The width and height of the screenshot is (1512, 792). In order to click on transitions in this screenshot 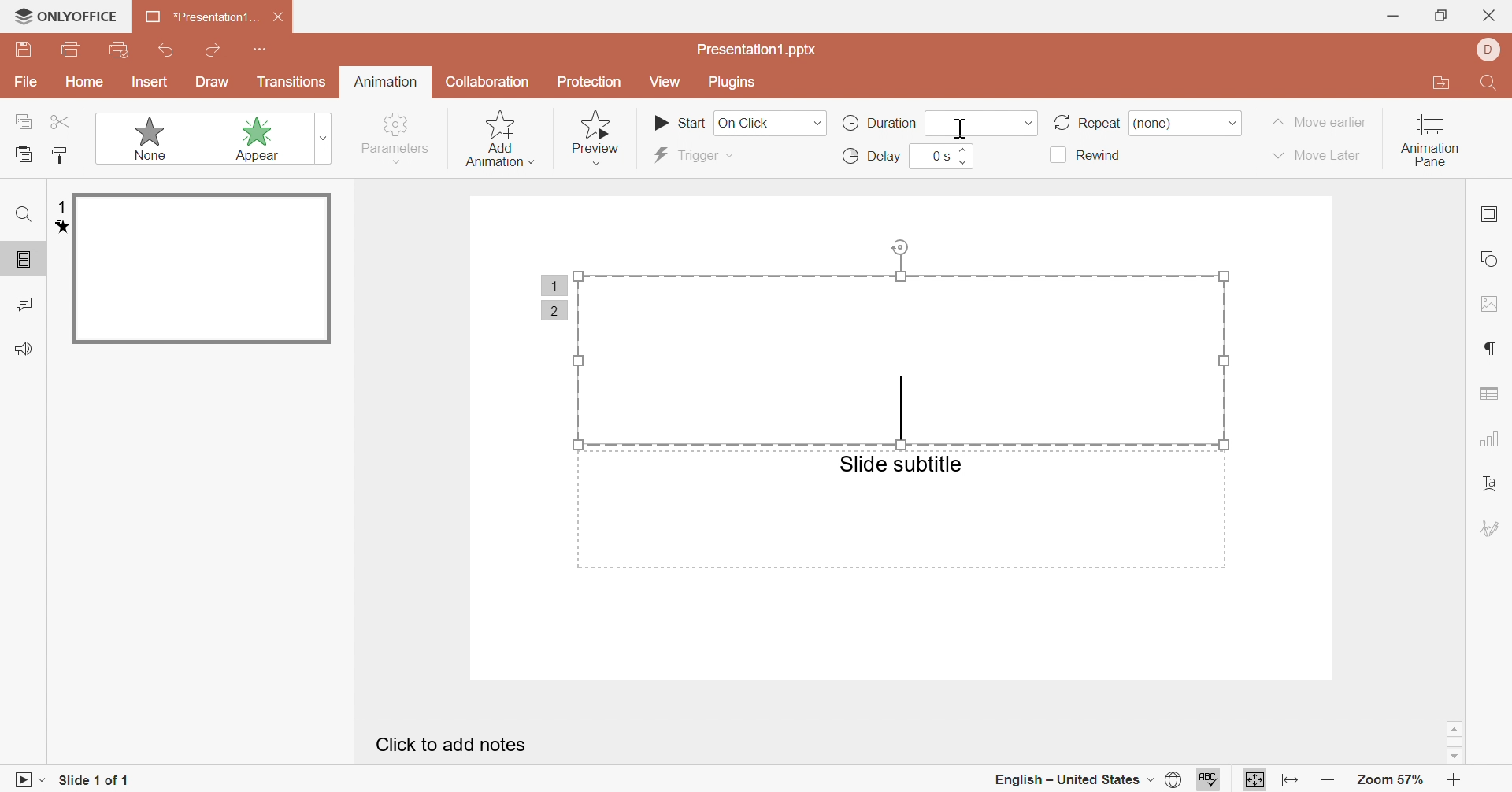, I will do `click(291, 83)`.